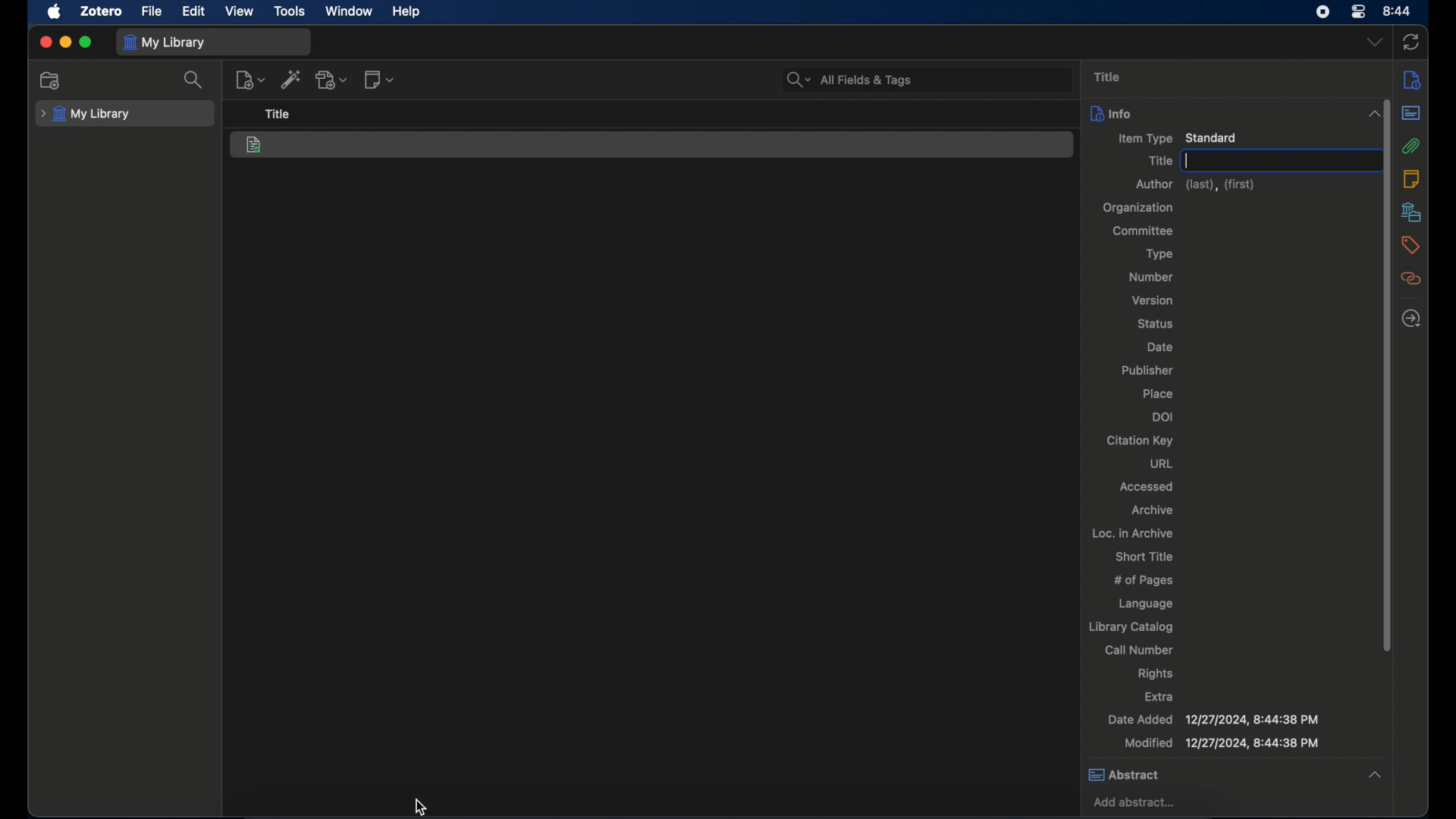 The height and width of the screenshot is (819, 1456). Describe the element at coordinates (1411, 114) in the screenshot. I see `abstract` at that location.